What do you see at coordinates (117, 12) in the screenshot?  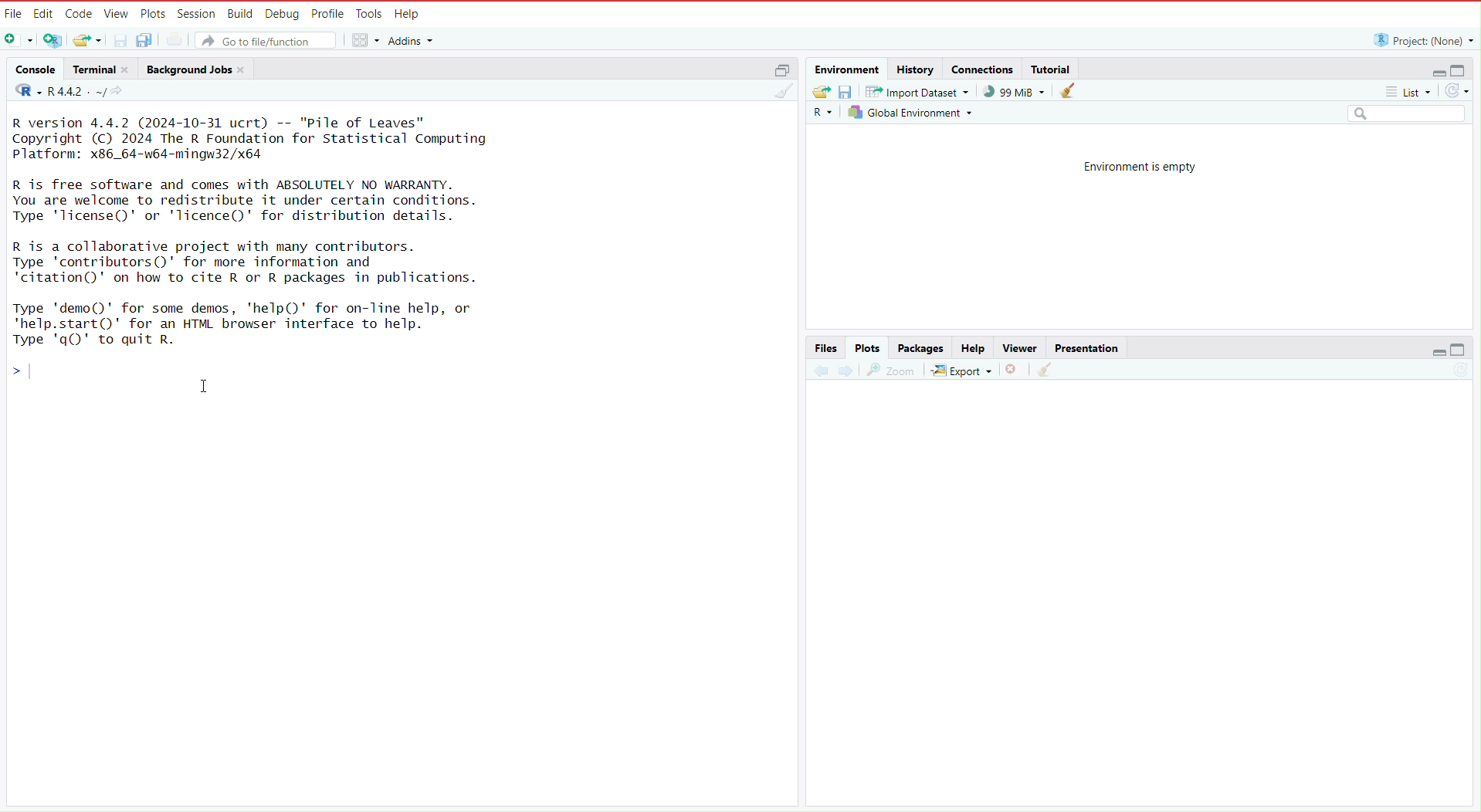 I see `view` at bounding box center [117, 12].